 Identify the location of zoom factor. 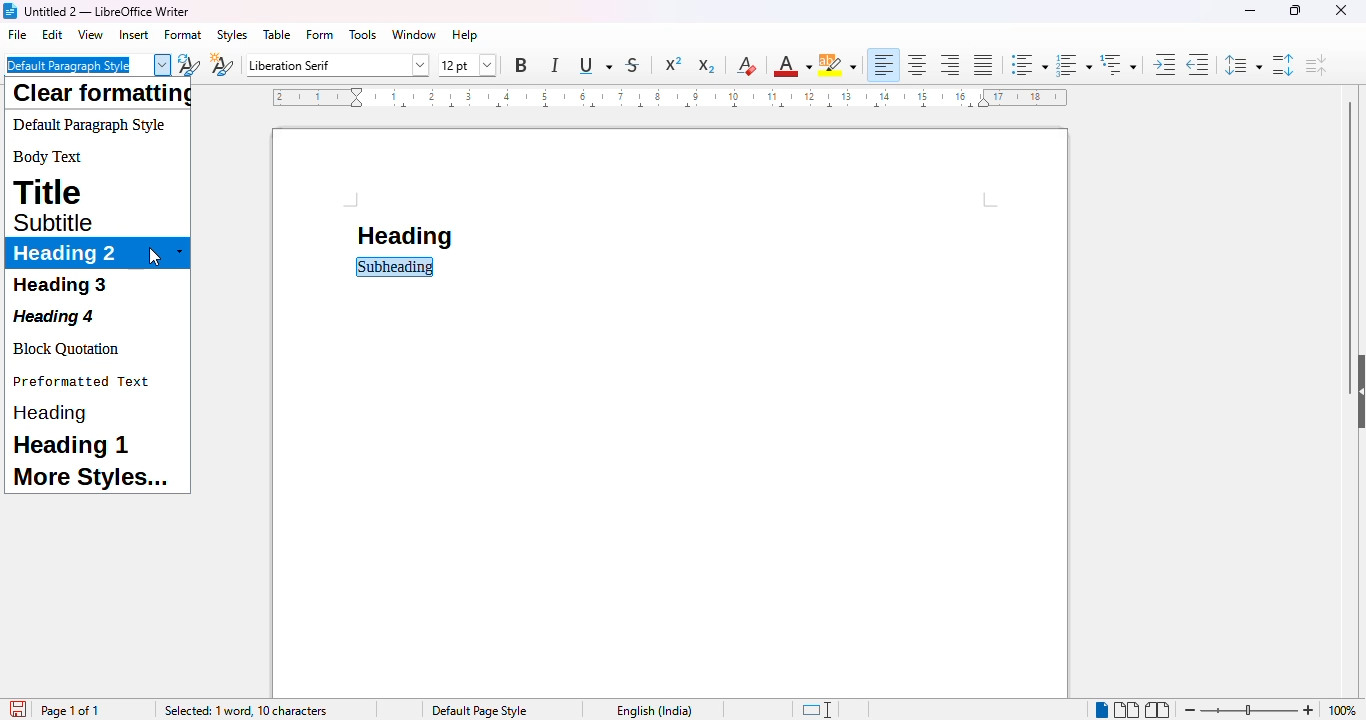
(1342, 711).